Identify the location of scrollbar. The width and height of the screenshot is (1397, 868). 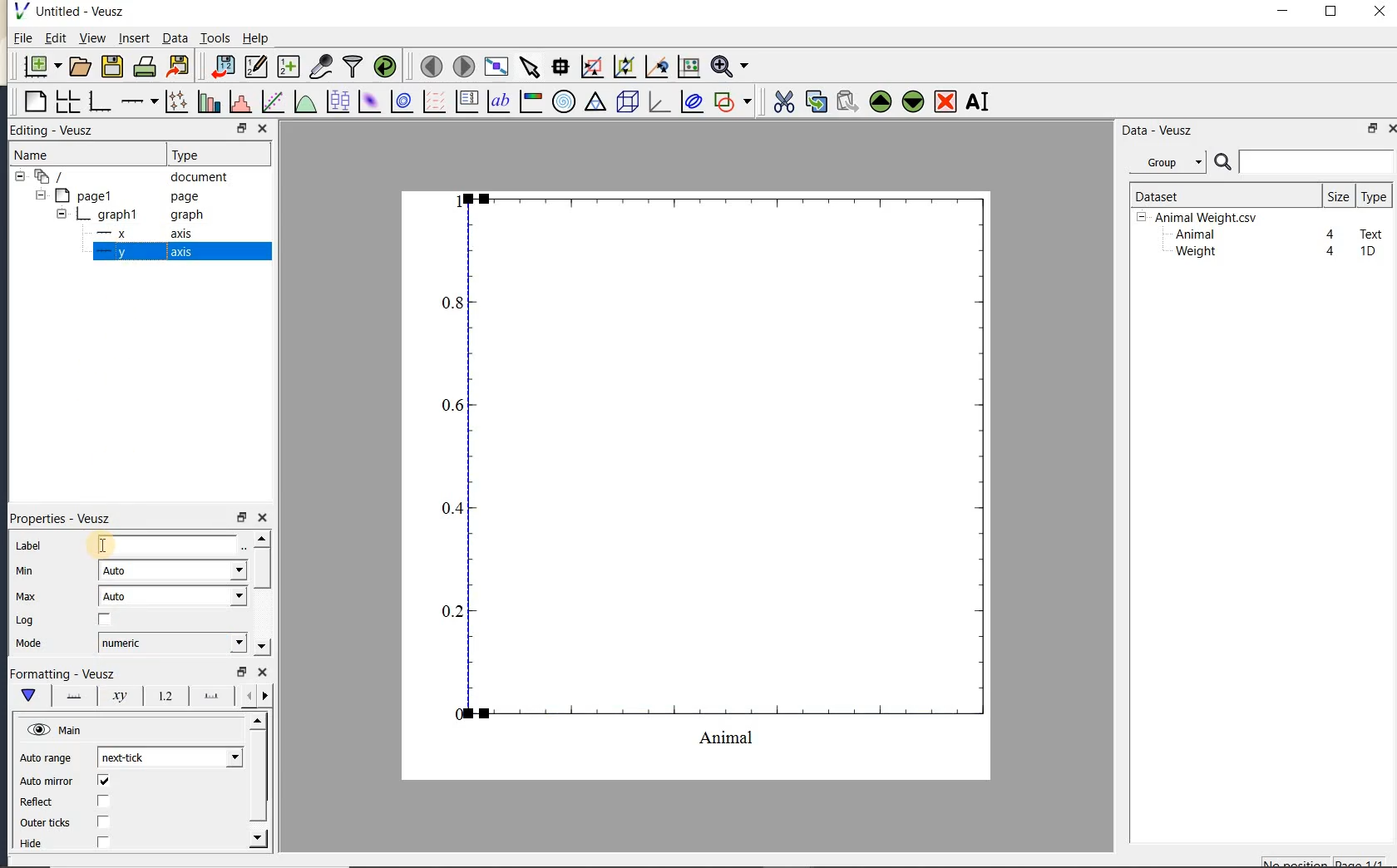
(260, 593).